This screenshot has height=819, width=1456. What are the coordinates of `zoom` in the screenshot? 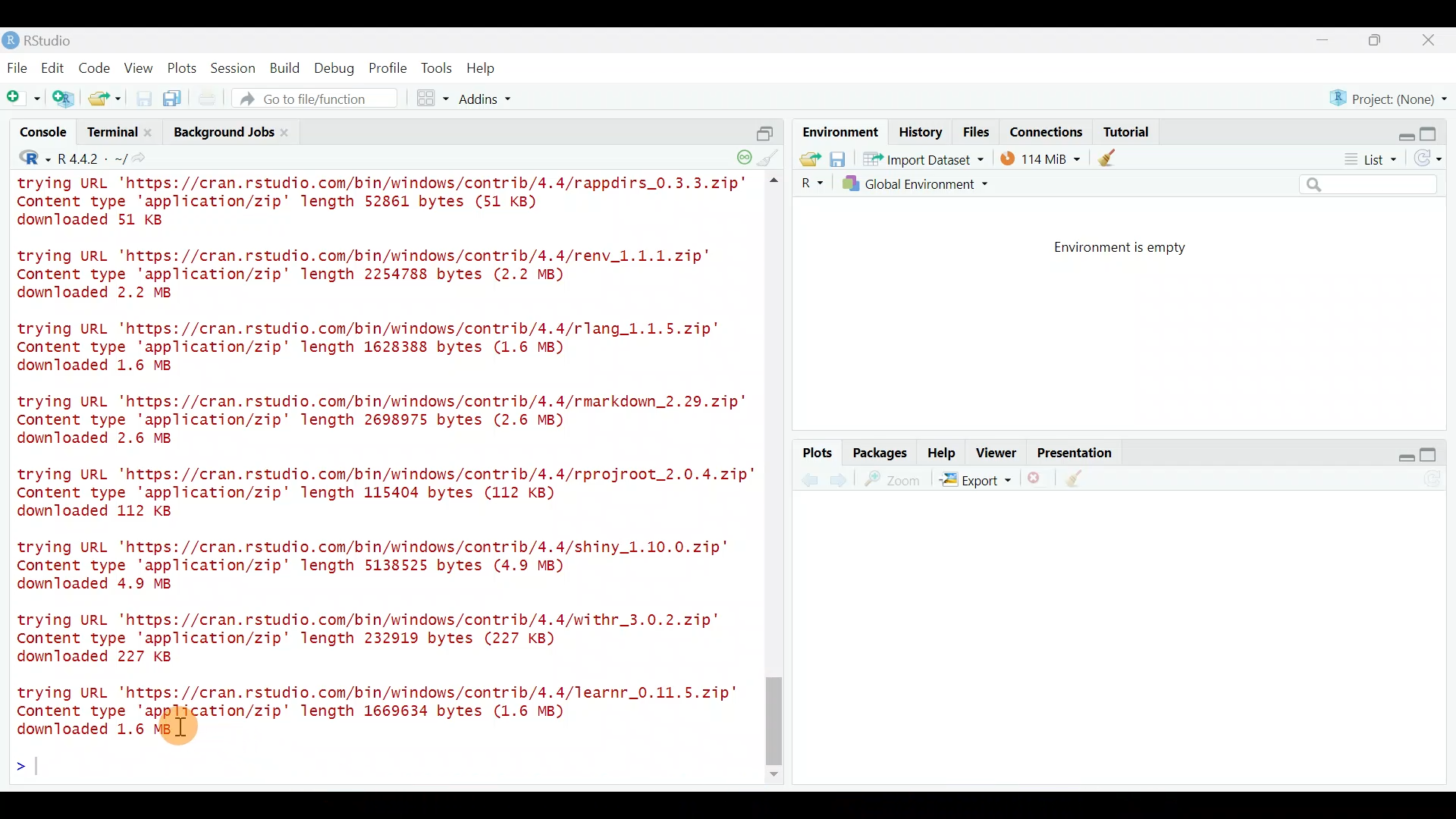 It's located at (896, 480).